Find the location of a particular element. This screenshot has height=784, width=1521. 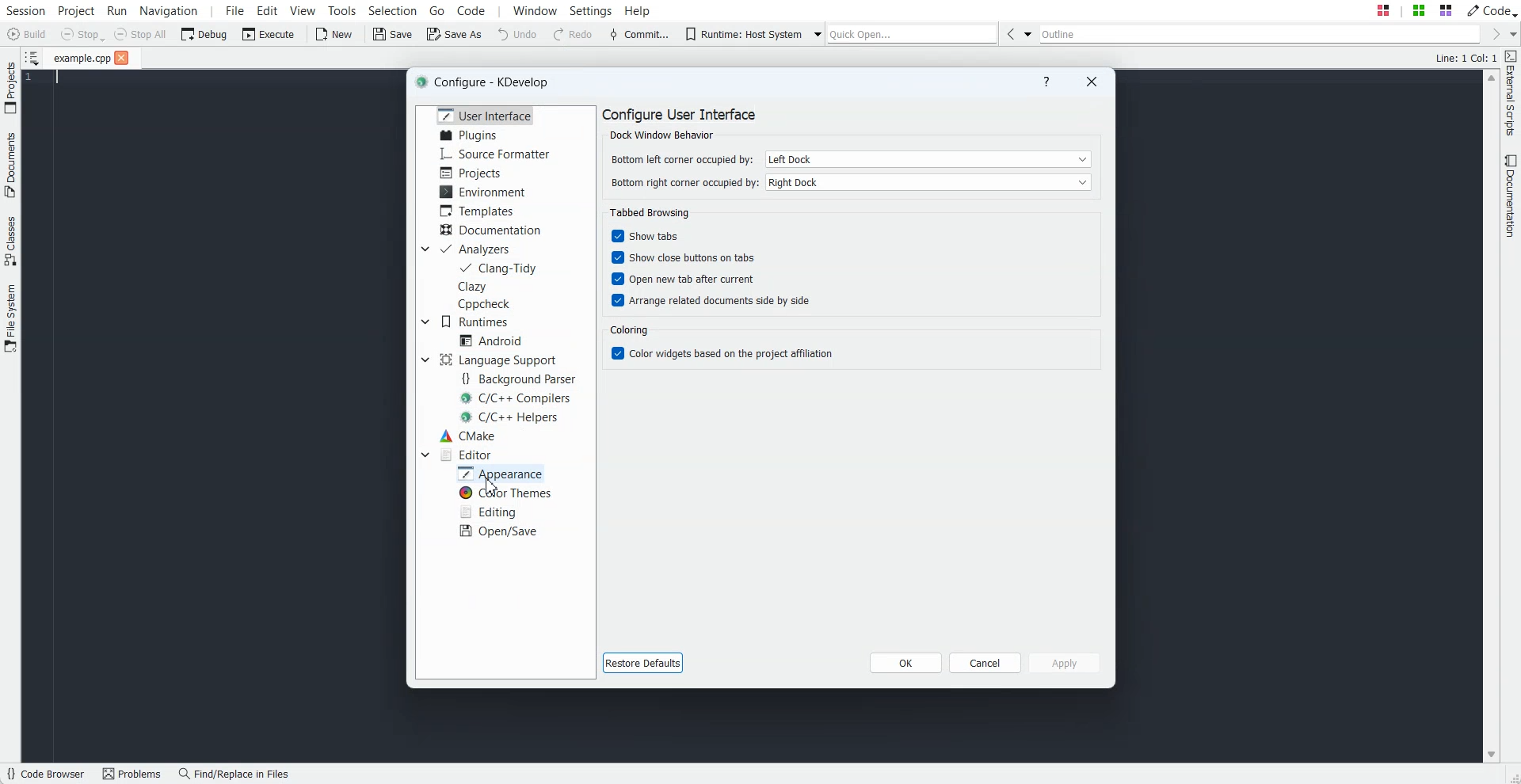

Environment is located at coordinates (481, 192).